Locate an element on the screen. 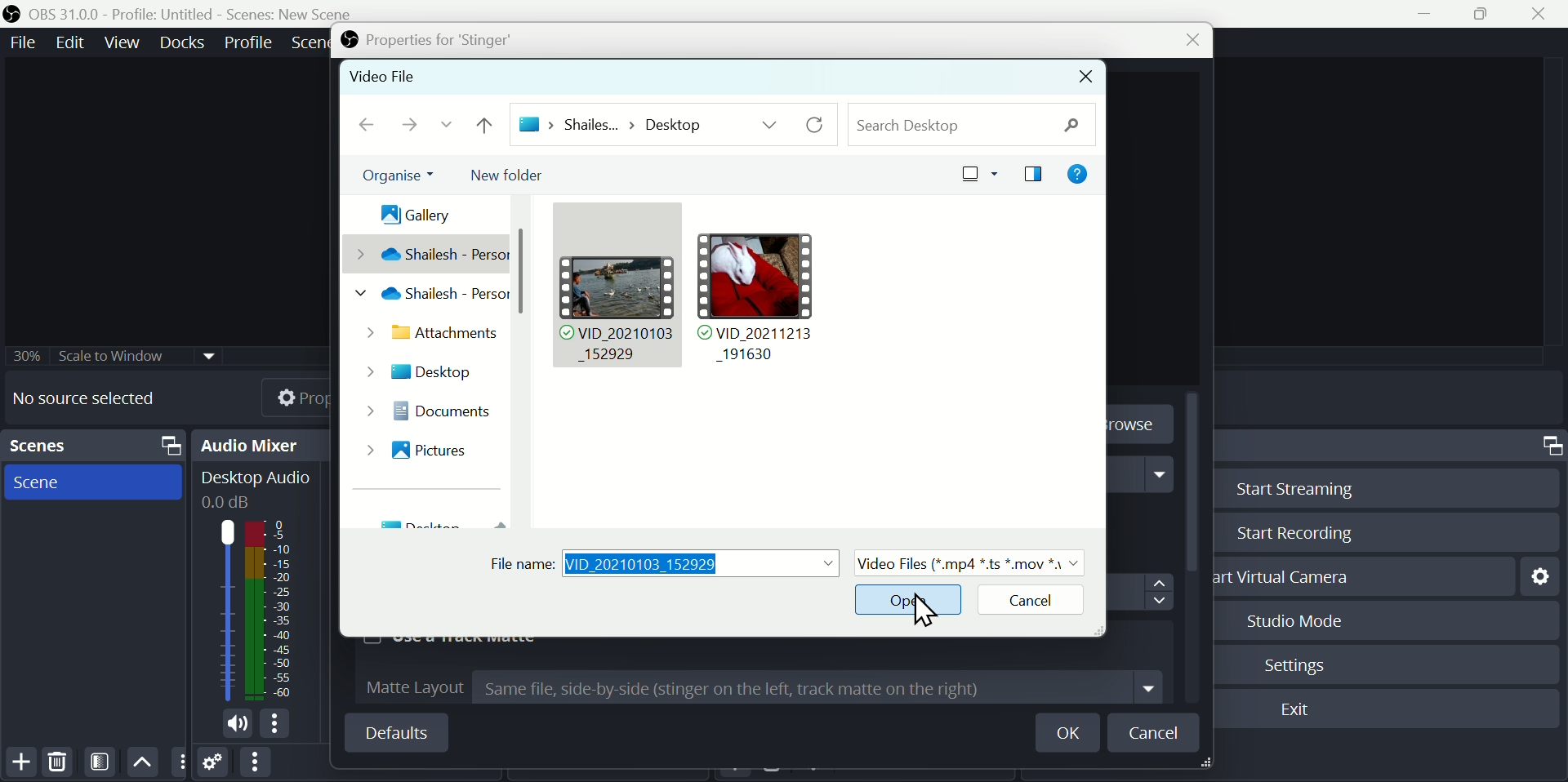  Maximise is located at coordinates (1488, 15).